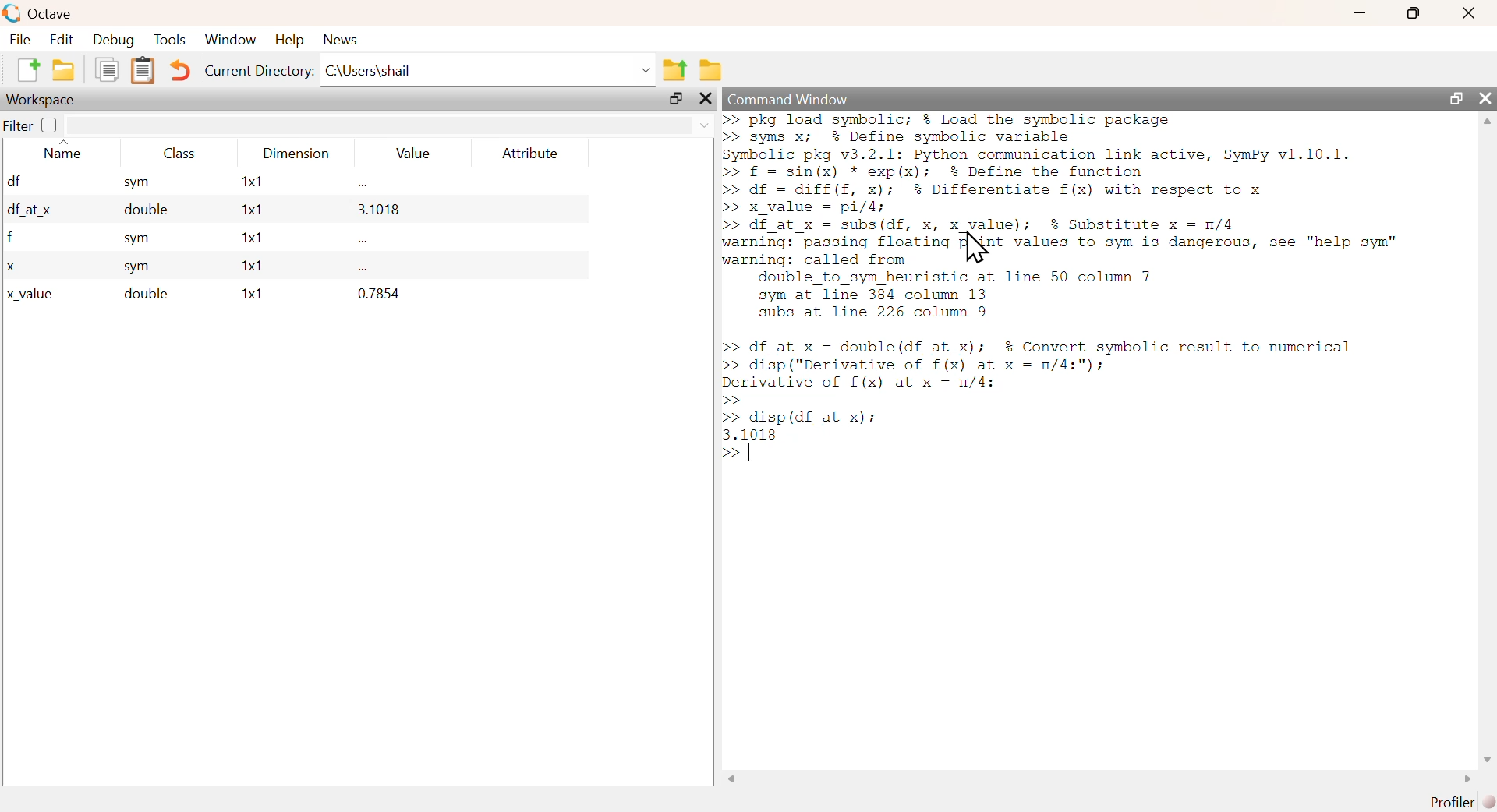 This screenshot has width=1497, height=812. What do you see at coordinates (710, 72) in the screenshot?
I see `Browse directories` at bounding box center [710, 72].